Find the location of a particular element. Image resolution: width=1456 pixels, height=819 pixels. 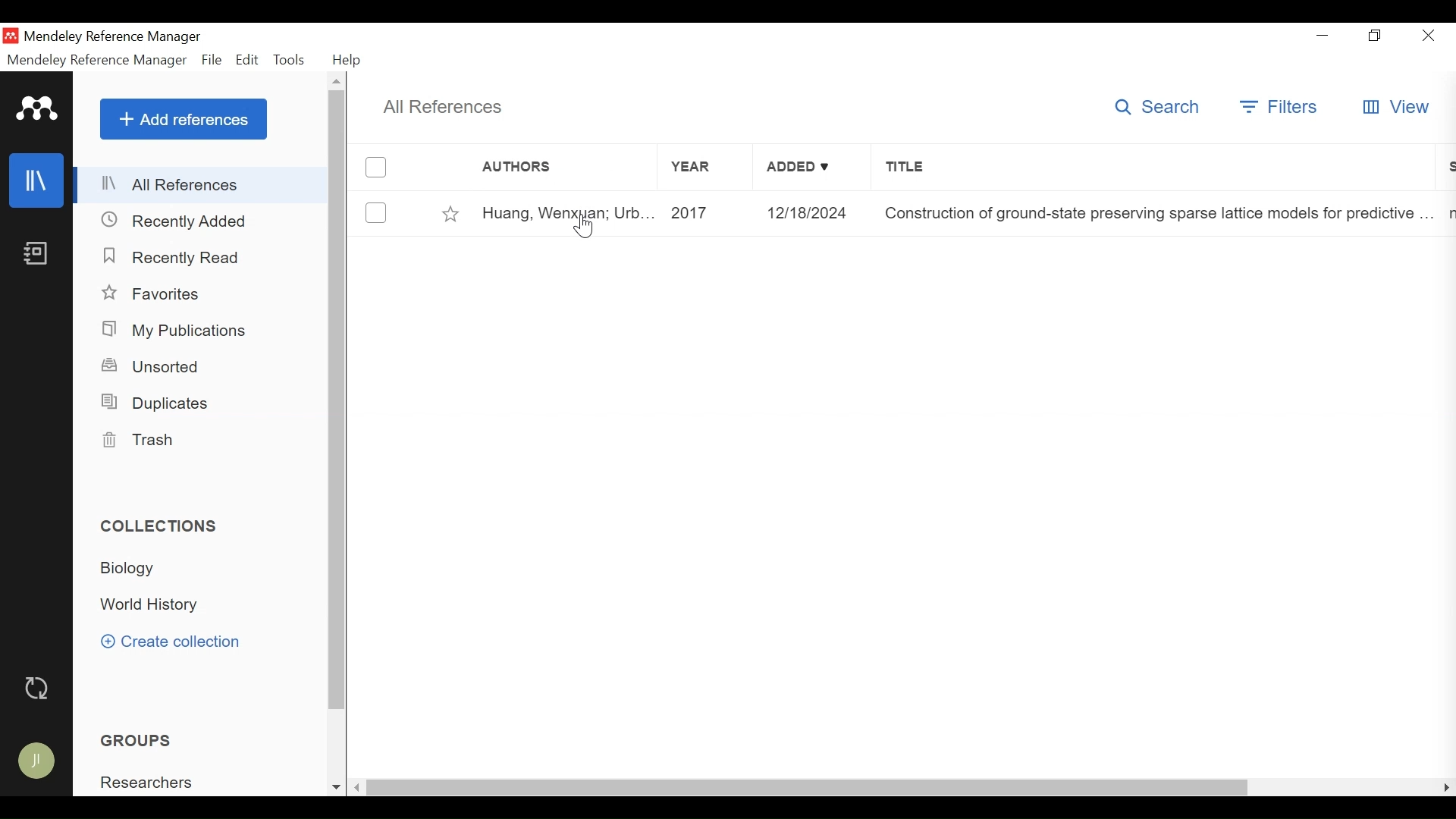

Vertical Scroll bar is located at coordinates (811, 787).